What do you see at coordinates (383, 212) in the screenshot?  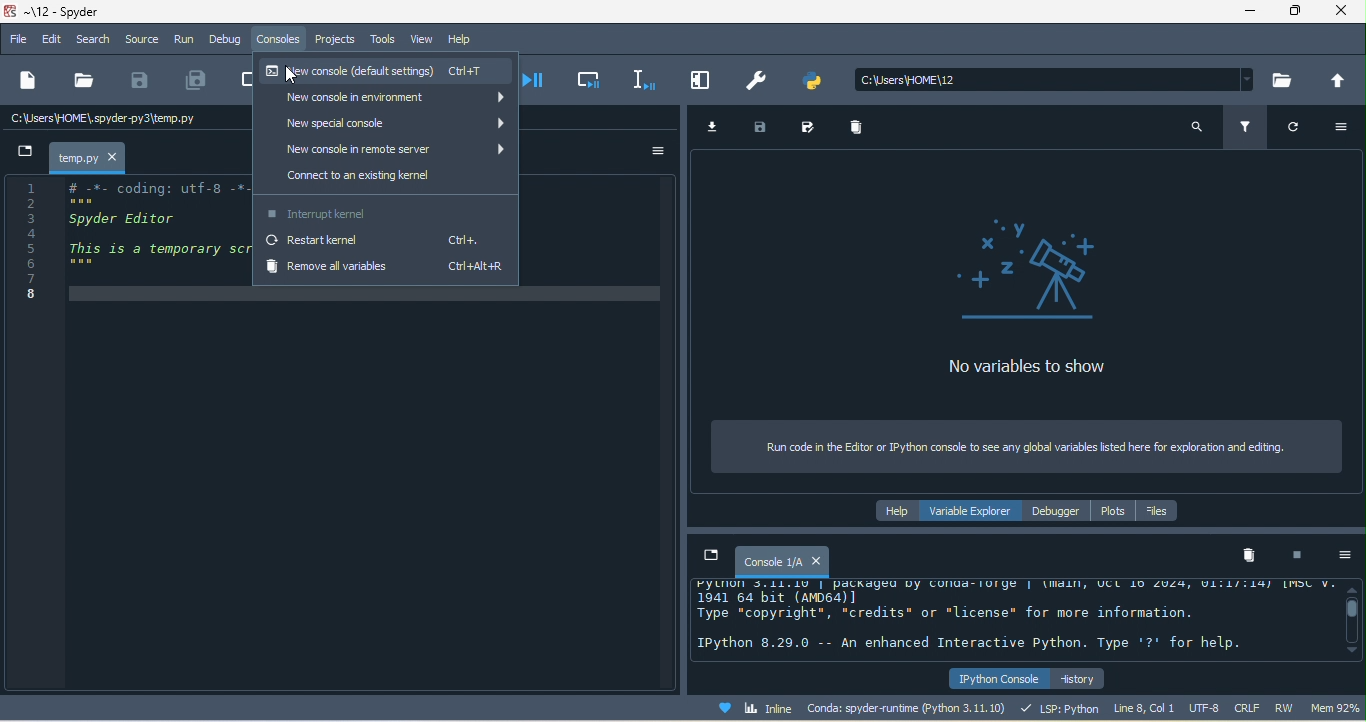 I see `interrupt kenel` at bounding box center [383, 212].